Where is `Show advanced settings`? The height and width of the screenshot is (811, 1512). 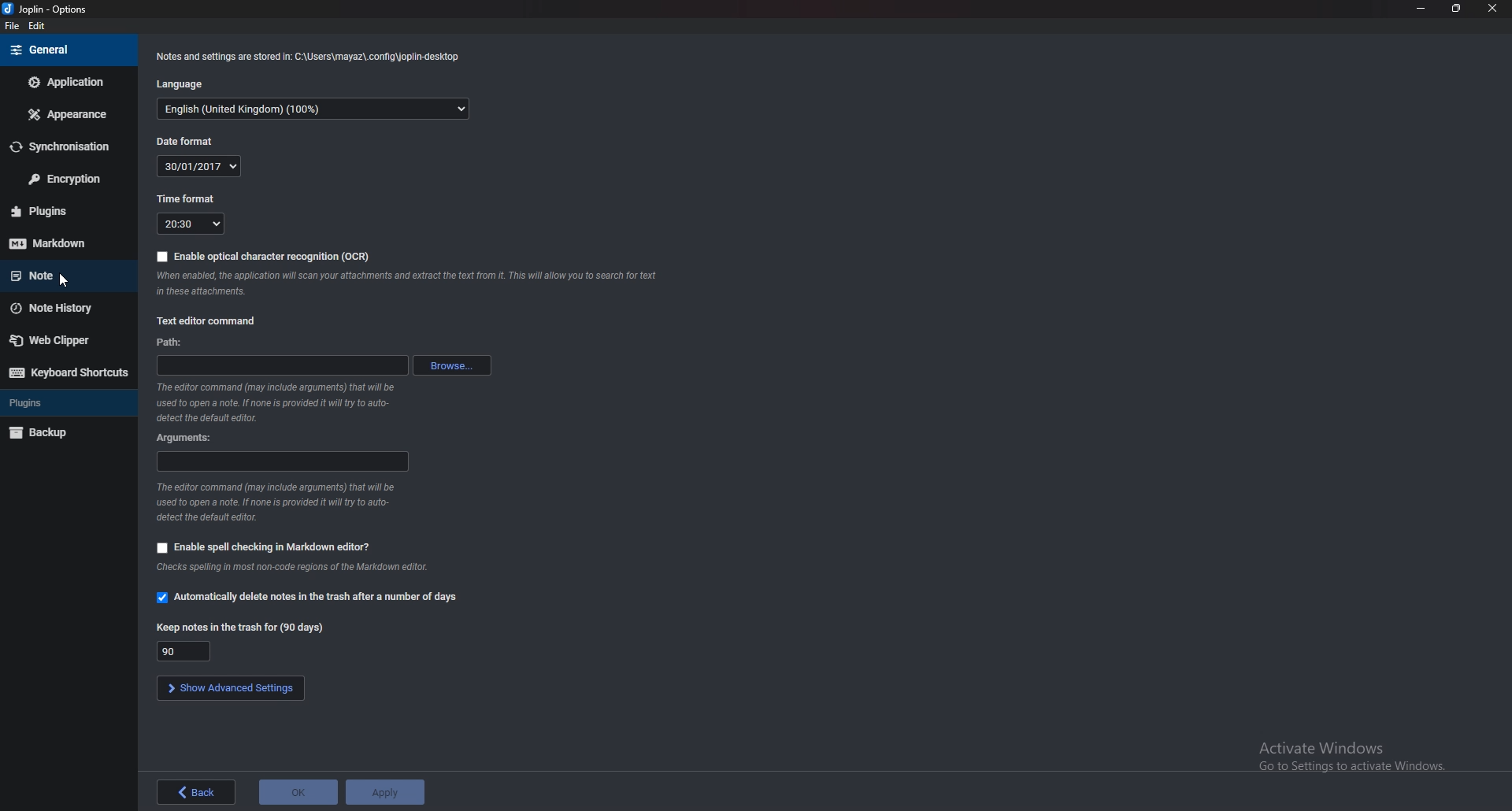 Show advanced settings is located at coordinates (231, 688).